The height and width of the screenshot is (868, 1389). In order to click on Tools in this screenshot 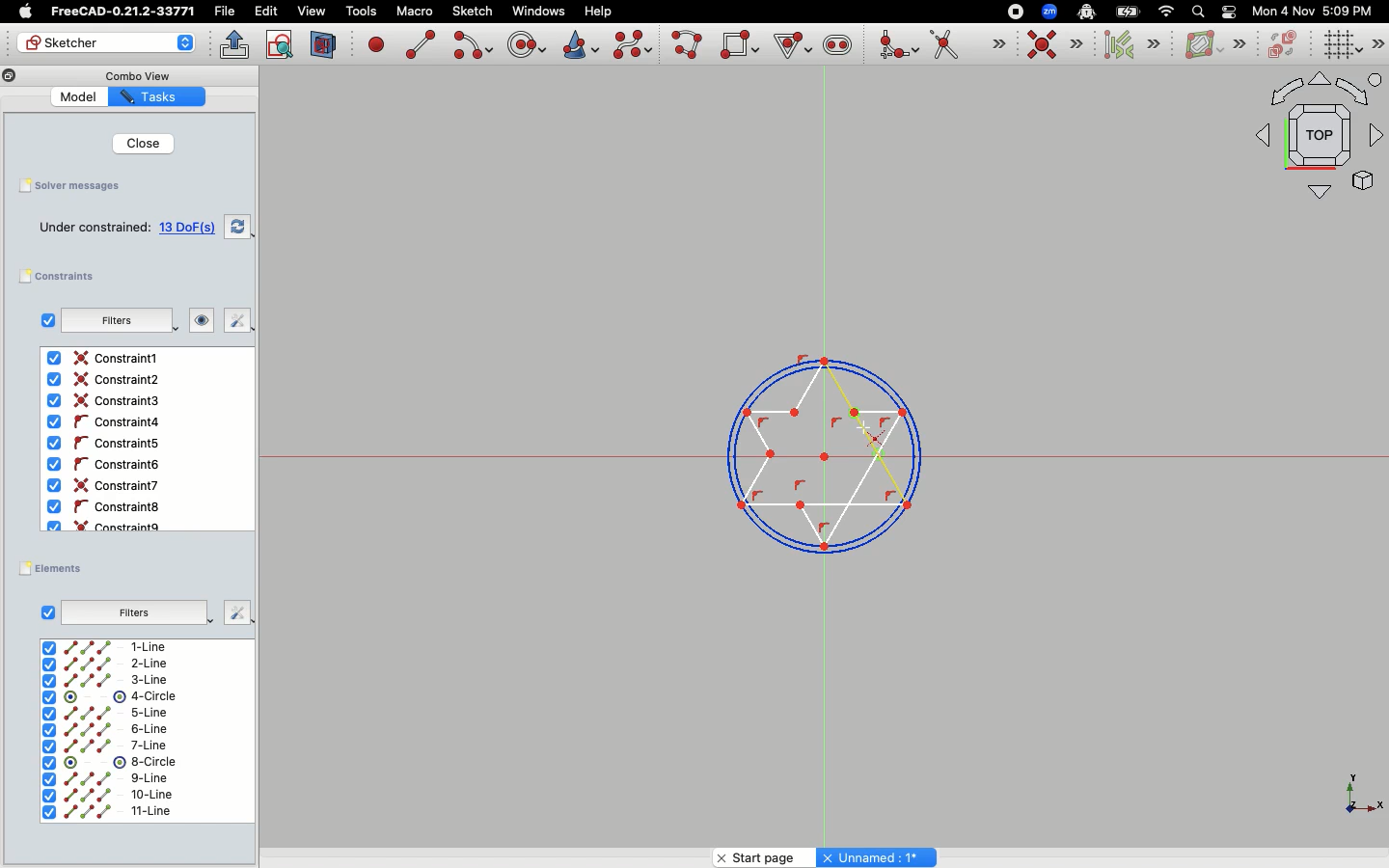, I will do `click(361, 13)`.